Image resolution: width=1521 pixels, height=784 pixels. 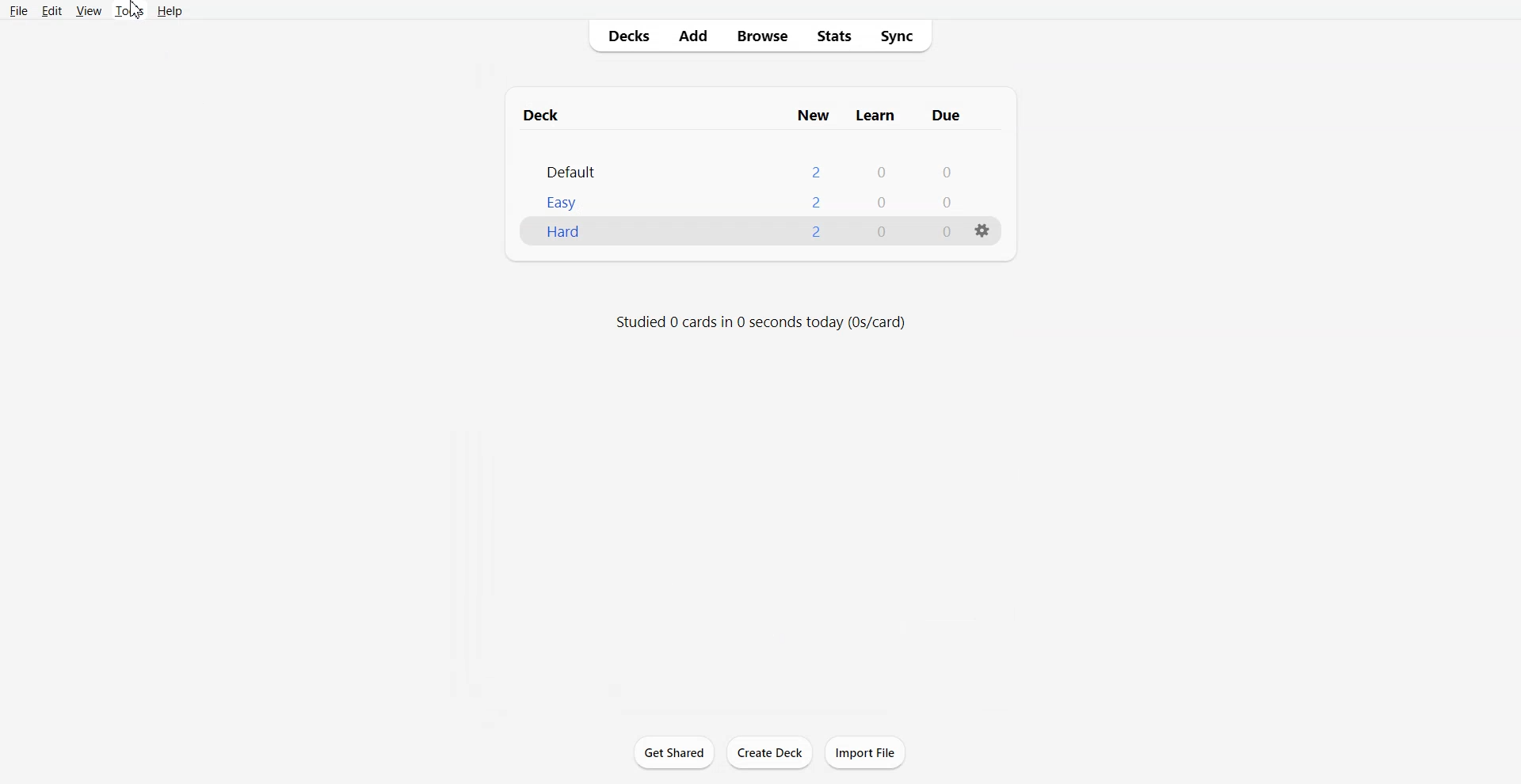 I want to click on View, so click(x=89, y=10).